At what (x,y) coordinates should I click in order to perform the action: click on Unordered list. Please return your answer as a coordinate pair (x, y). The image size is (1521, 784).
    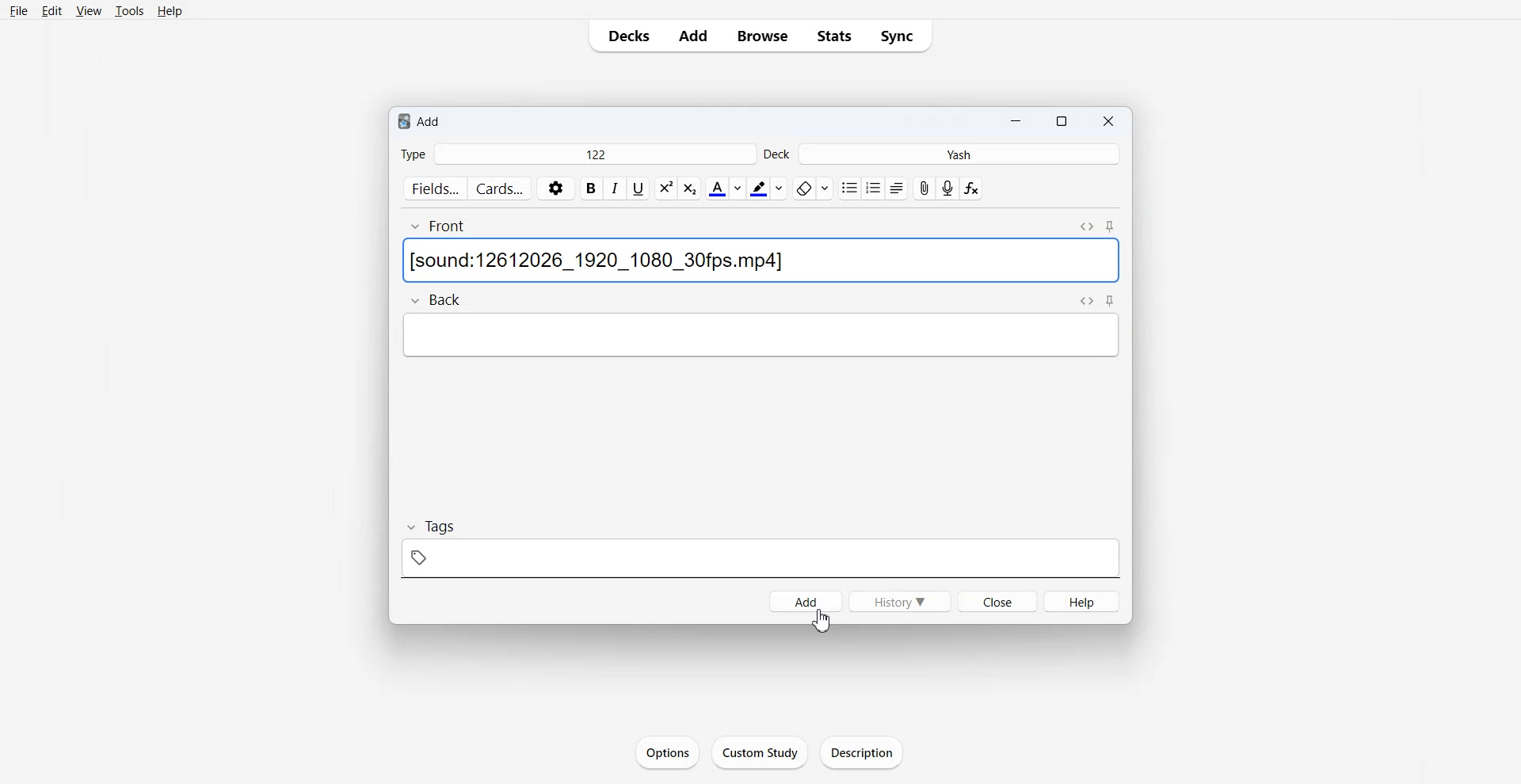
    Looking at the image, I should click on (848, 188).